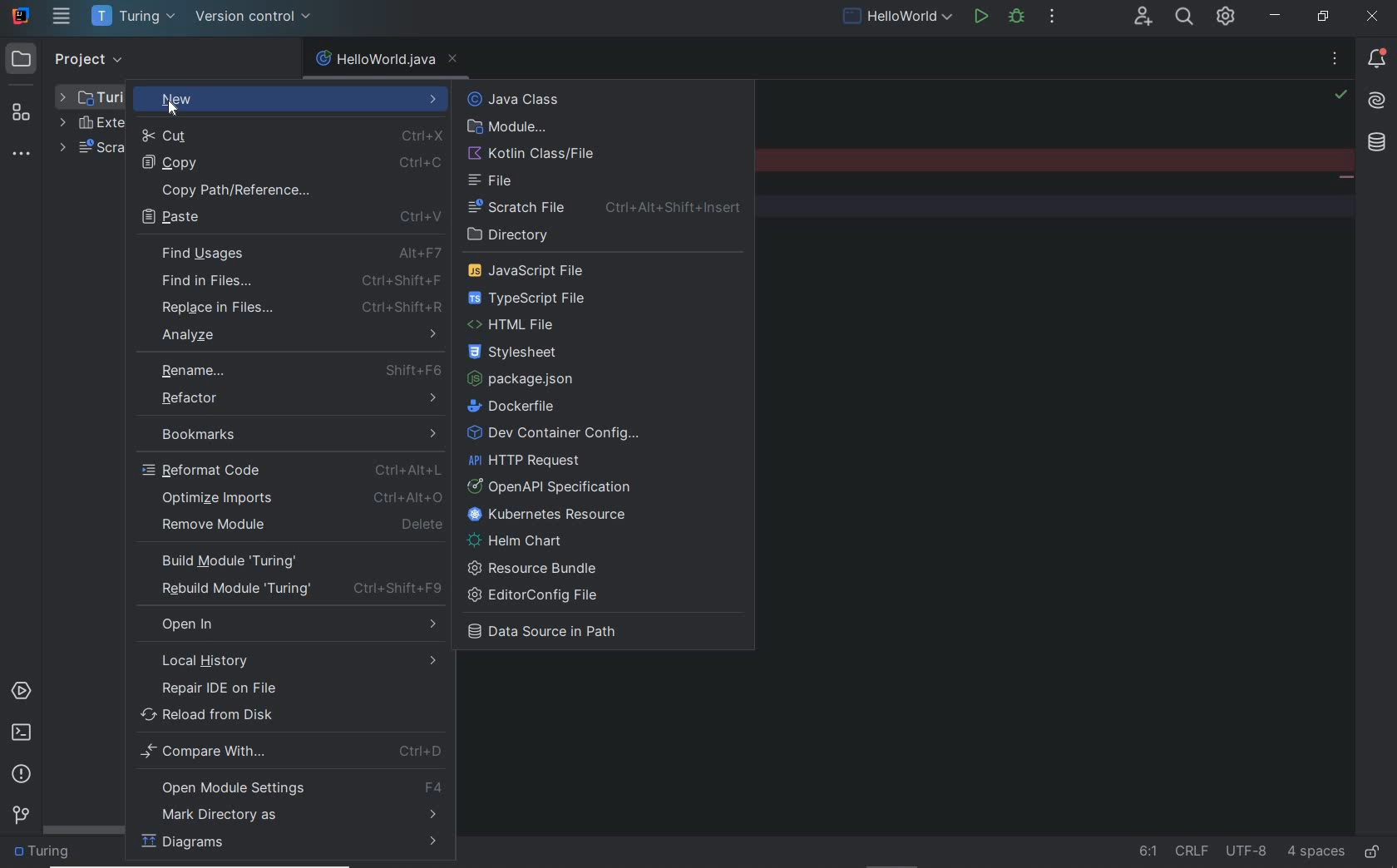  I want to click on data source in path, so click(555, 634).